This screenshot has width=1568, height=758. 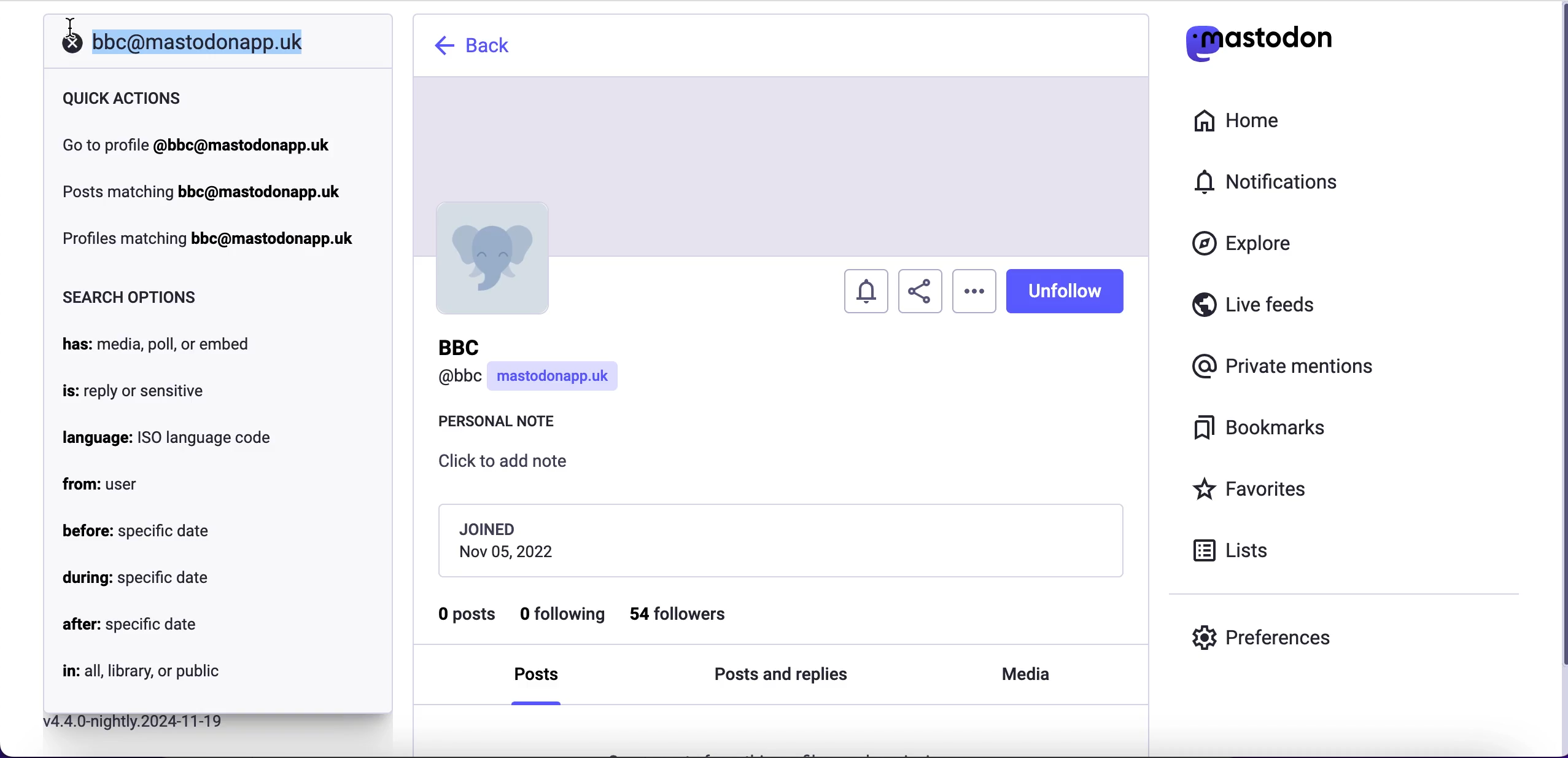 I want to click on unfollow, so click(x=1065, y=290).